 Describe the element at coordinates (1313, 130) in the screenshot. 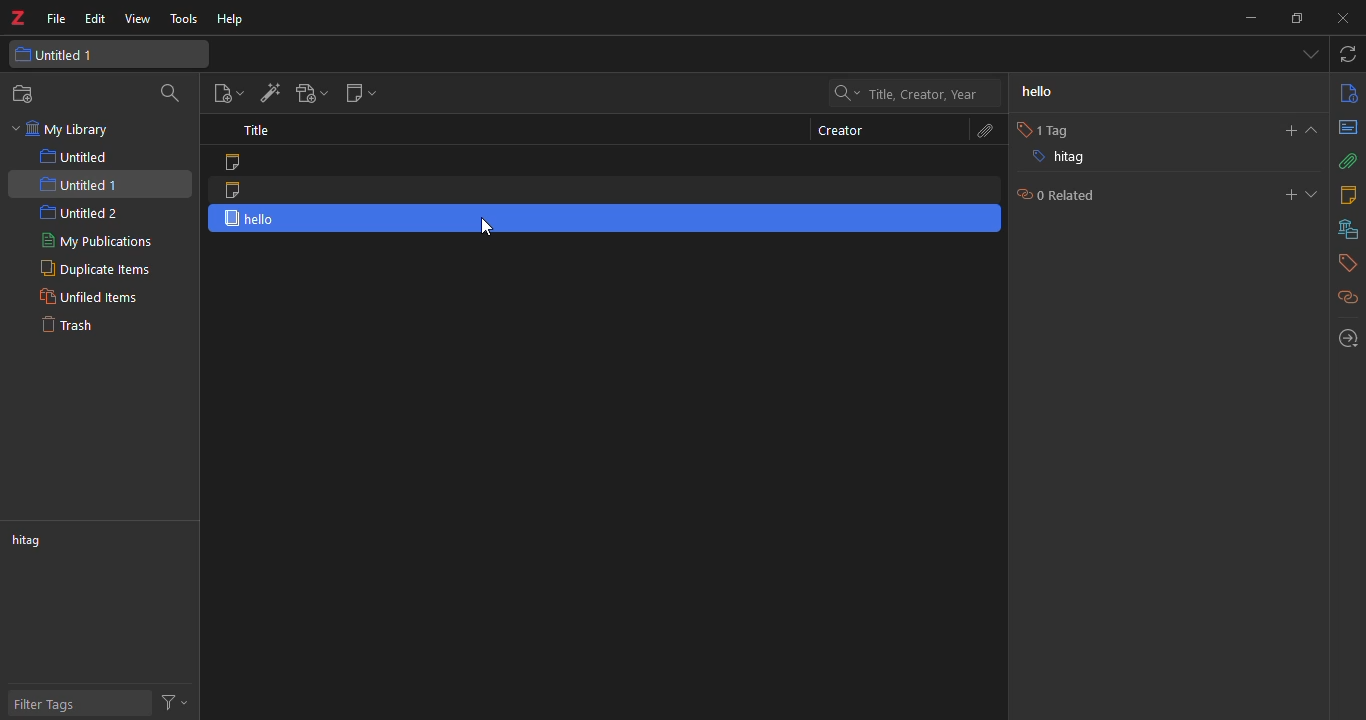

I see `expand` at that location.